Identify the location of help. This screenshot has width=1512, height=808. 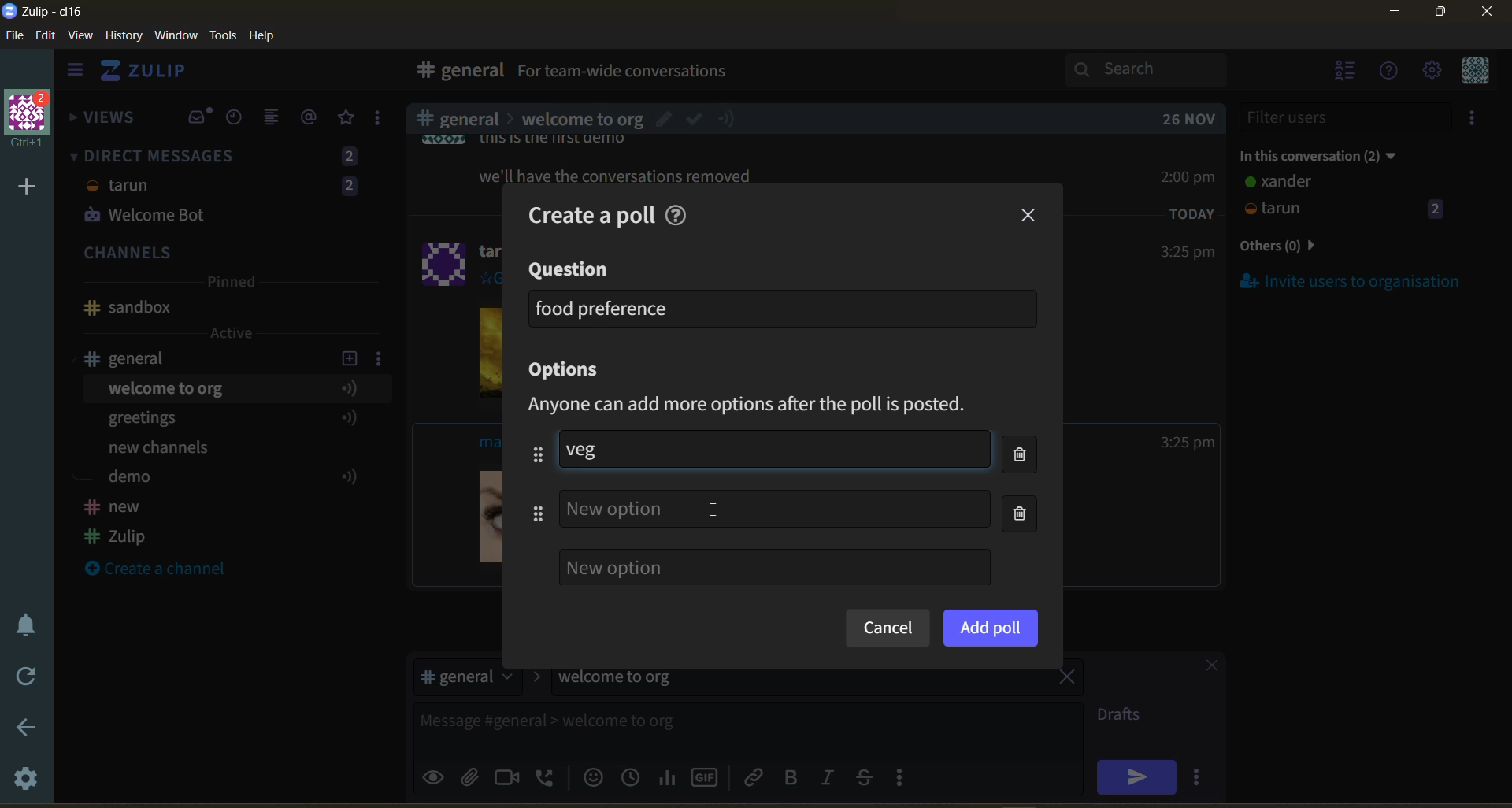
(268, 36).